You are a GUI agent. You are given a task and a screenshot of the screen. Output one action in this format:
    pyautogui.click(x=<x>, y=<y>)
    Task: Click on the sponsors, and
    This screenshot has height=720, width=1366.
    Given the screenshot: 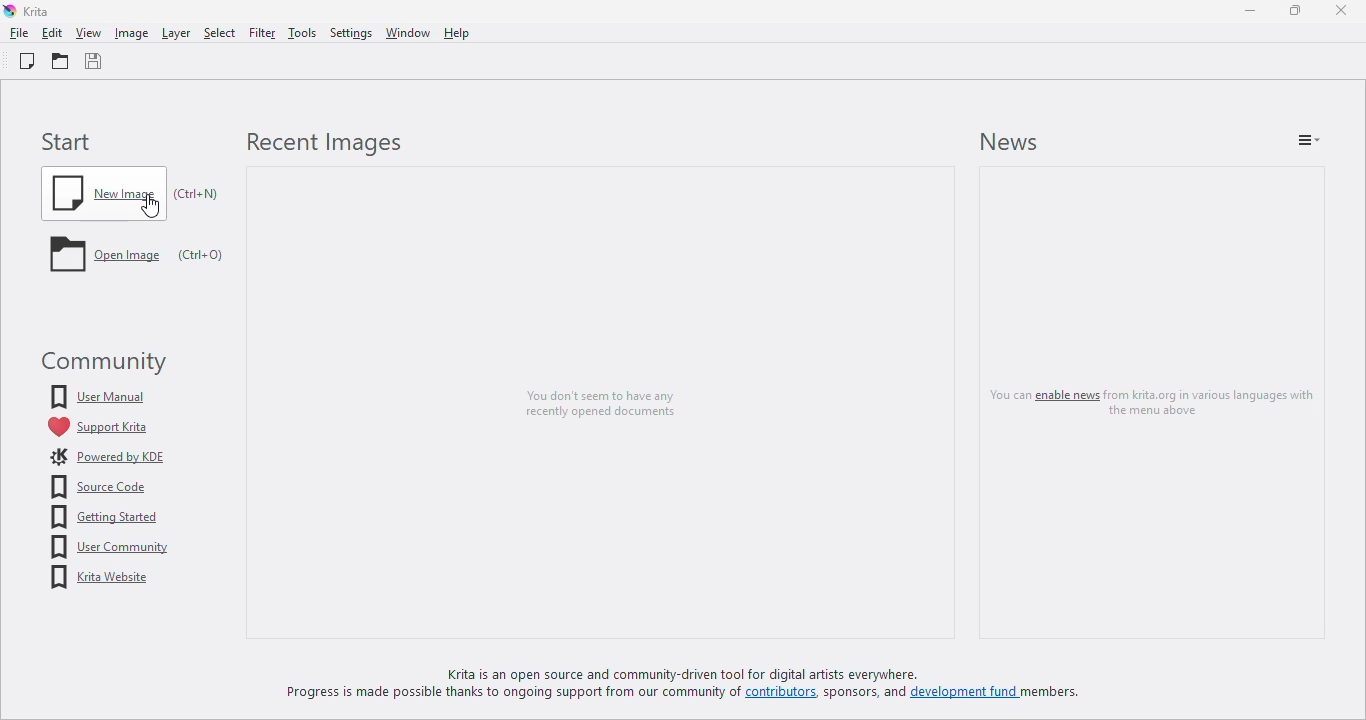 What is the action you would take?
    pyautogui.click(x=867, y=695)
    